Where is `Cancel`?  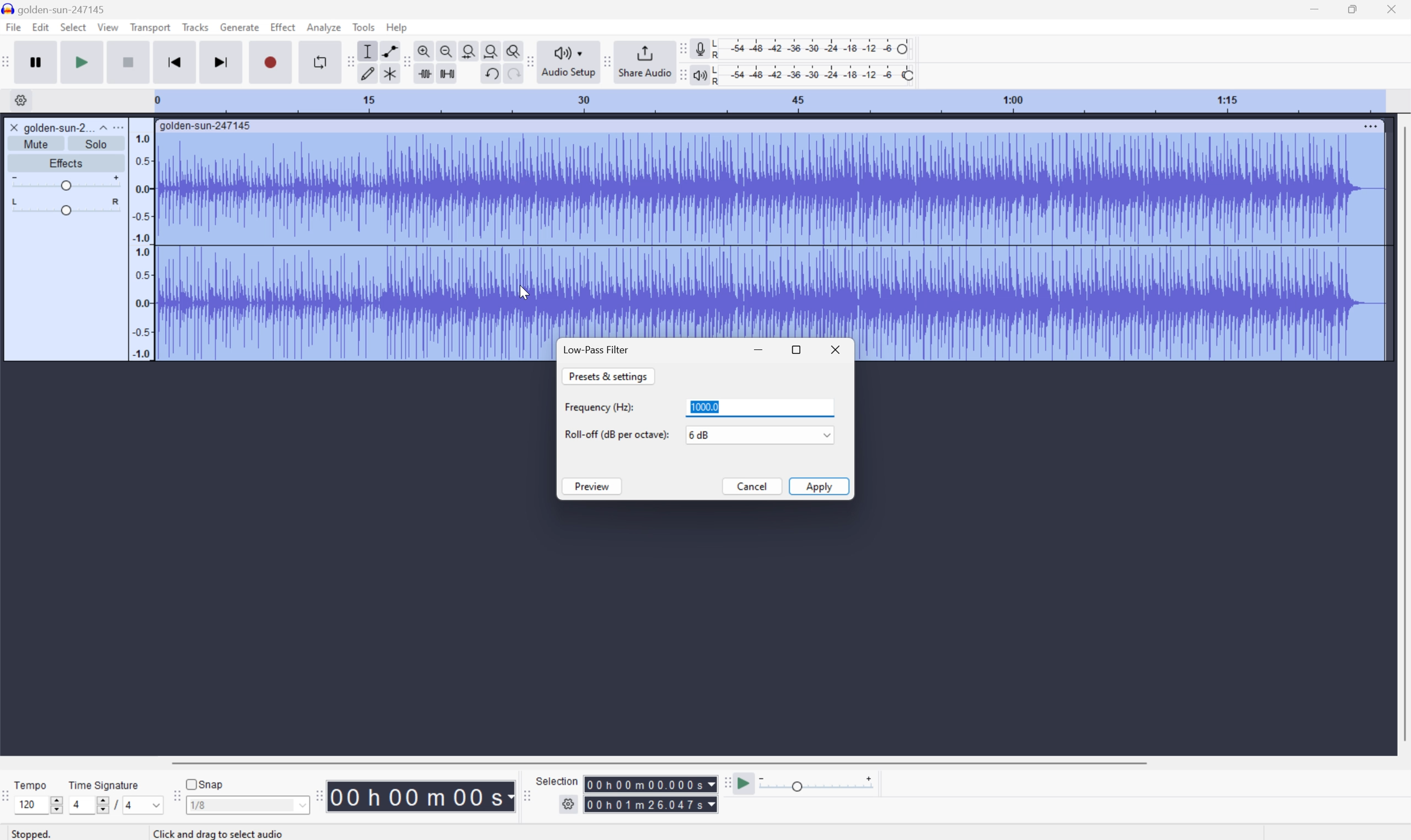
Cancel is located at coordinates (752, 487).